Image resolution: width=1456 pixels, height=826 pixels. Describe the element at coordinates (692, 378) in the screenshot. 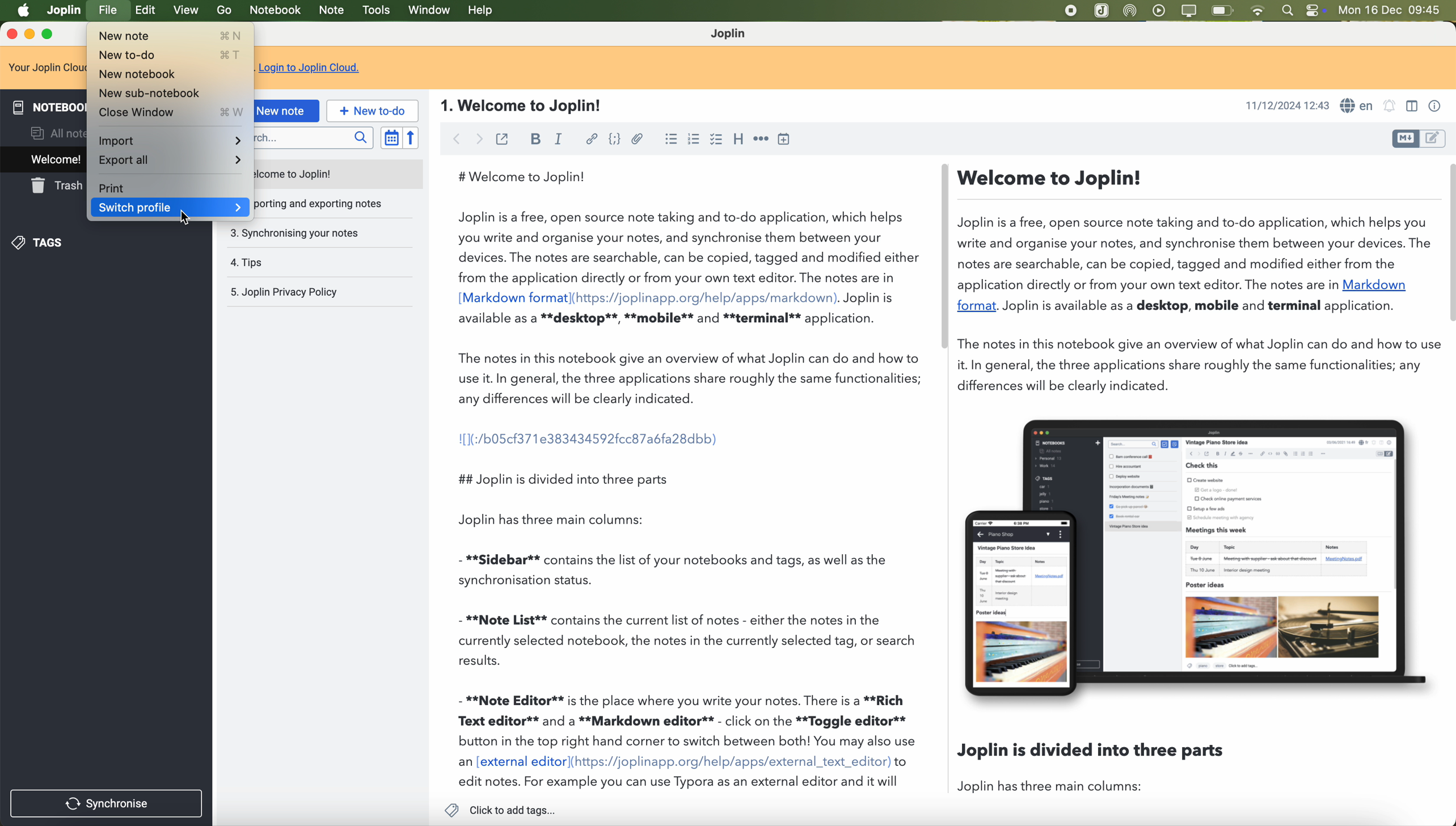

I see `The notes in this notebook give an overview of what Joplin can do and how to
use it. In general, the three applications share roughly the same functionalities;
any differences will be clearly indicated.` at that location.